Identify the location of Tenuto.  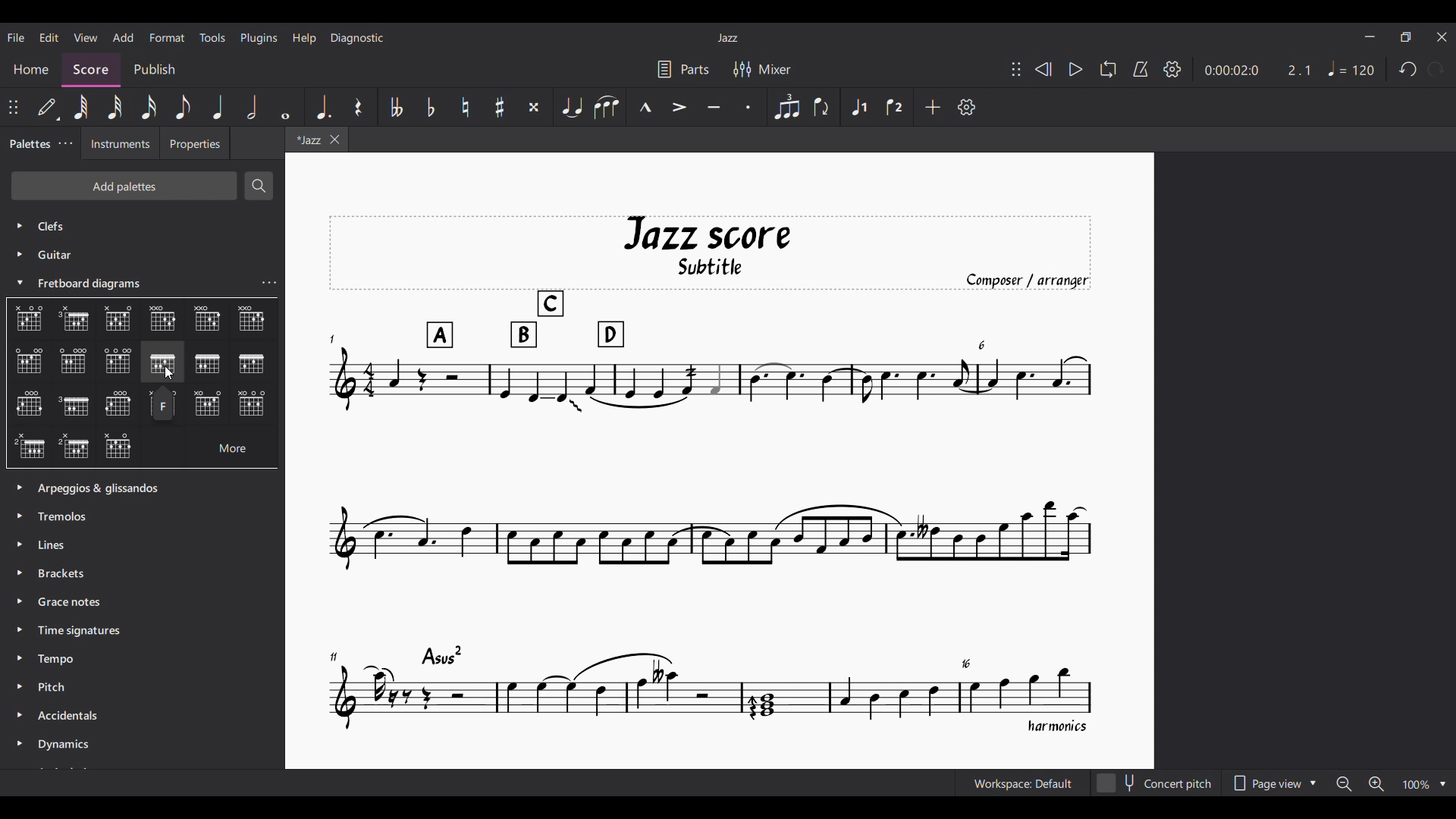
(714, 108).